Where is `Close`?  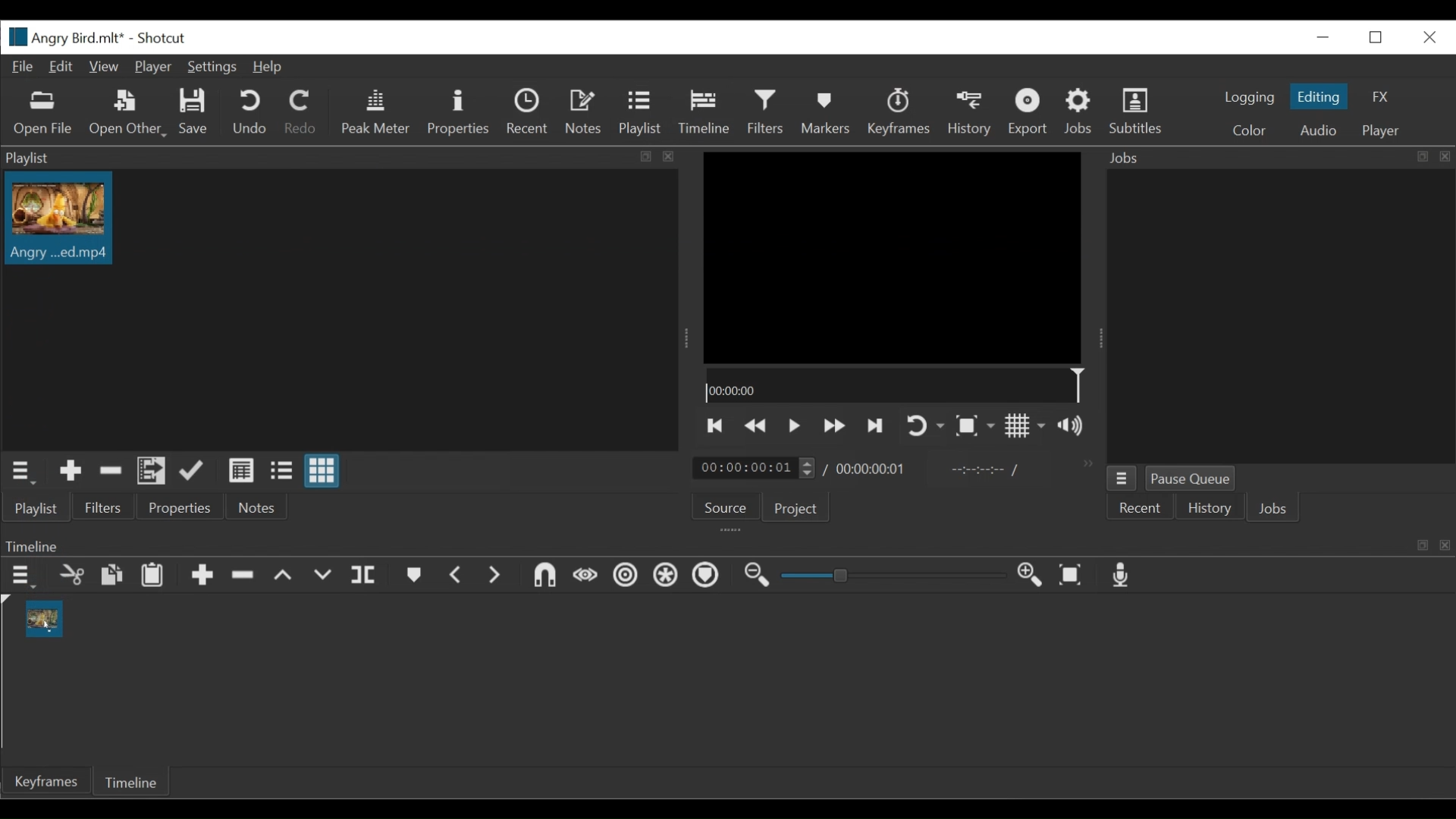
Close is located at coordinates (1428, 38).